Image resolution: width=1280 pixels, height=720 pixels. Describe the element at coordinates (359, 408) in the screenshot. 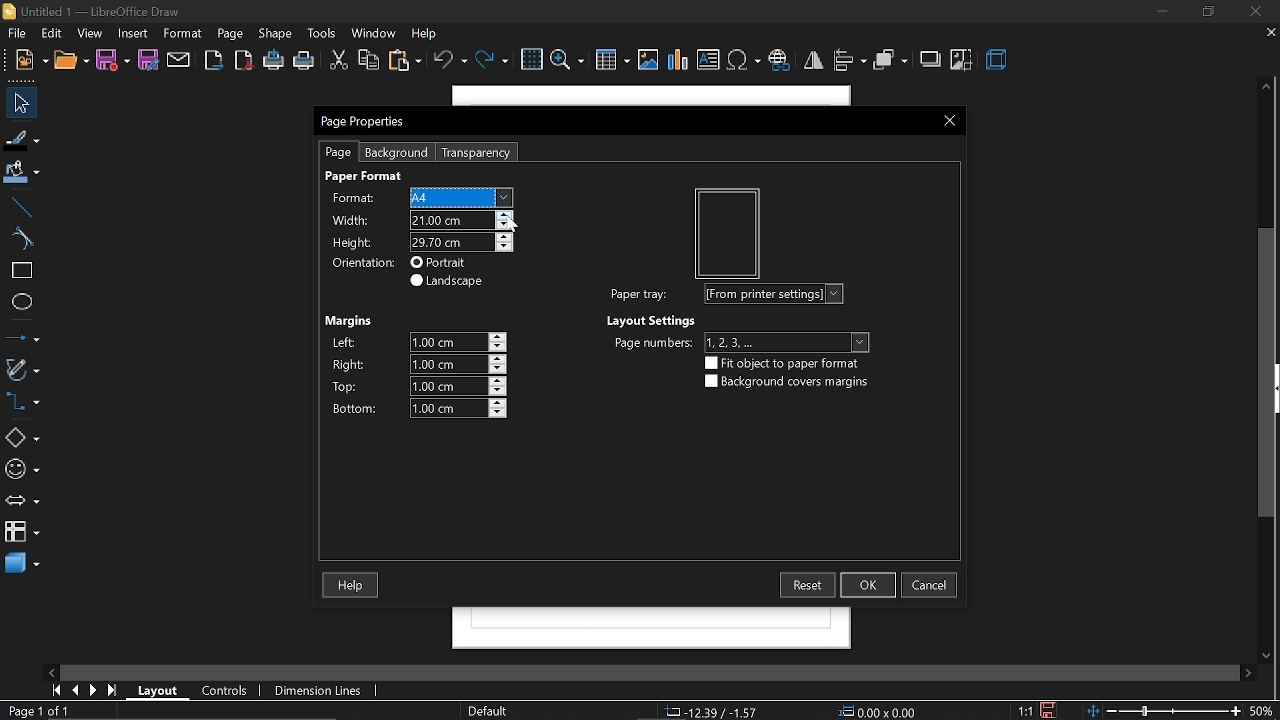

I see `bottom margin` at that location.